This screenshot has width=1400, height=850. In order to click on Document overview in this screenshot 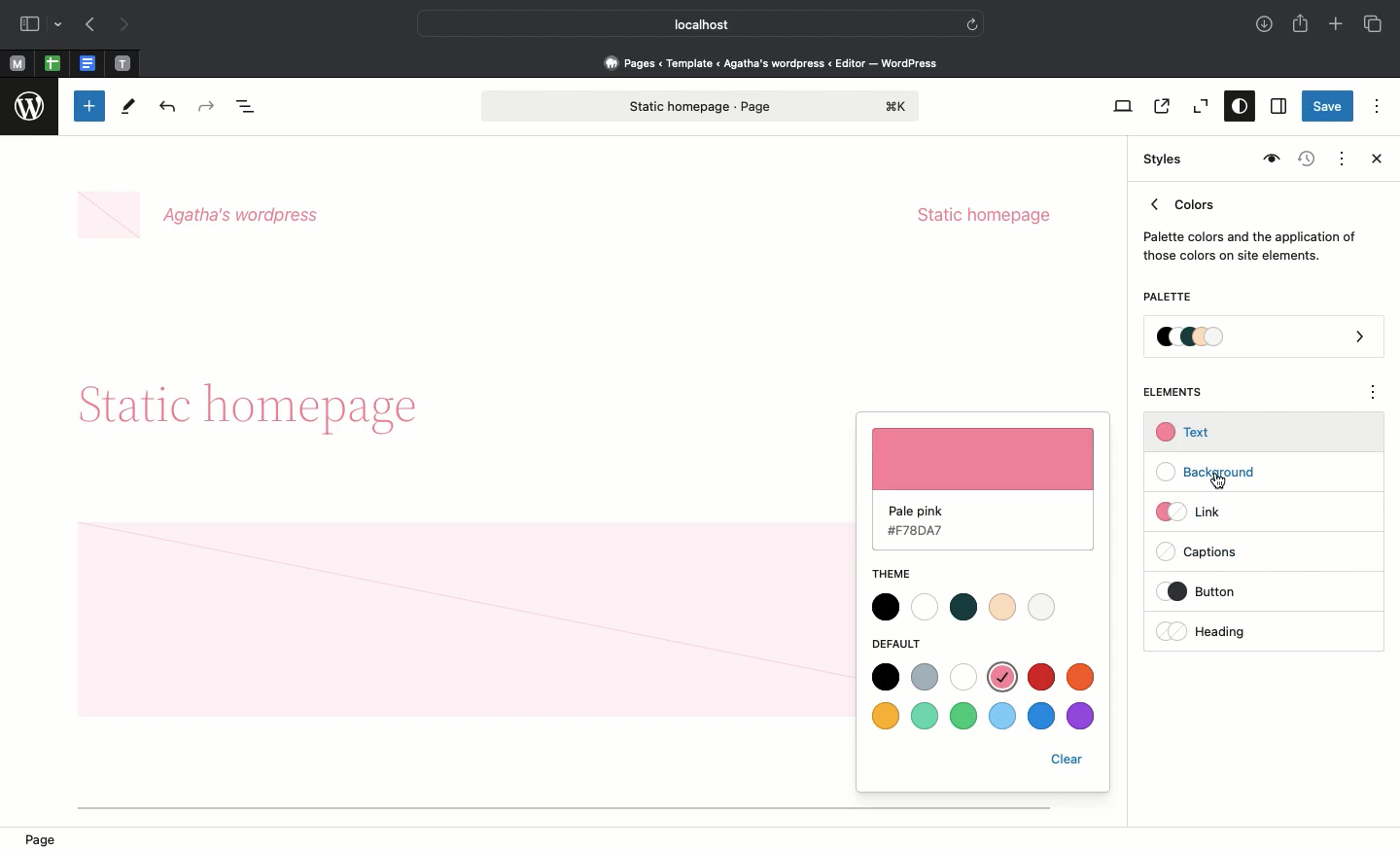, I will do `click(250, 108)`.